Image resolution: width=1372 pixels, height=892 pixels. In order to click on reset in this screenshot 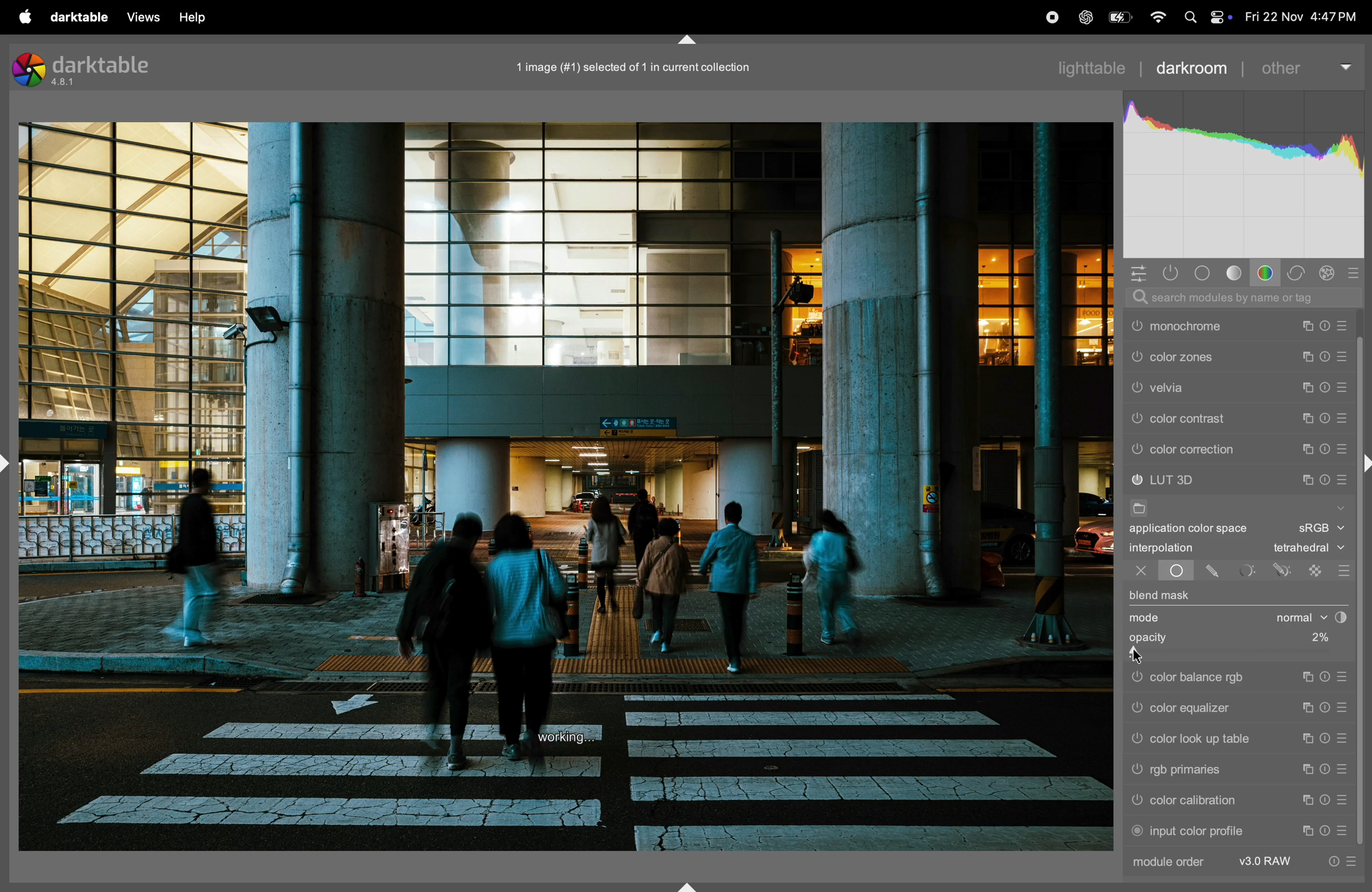, I will do `click(1325, 322)`.